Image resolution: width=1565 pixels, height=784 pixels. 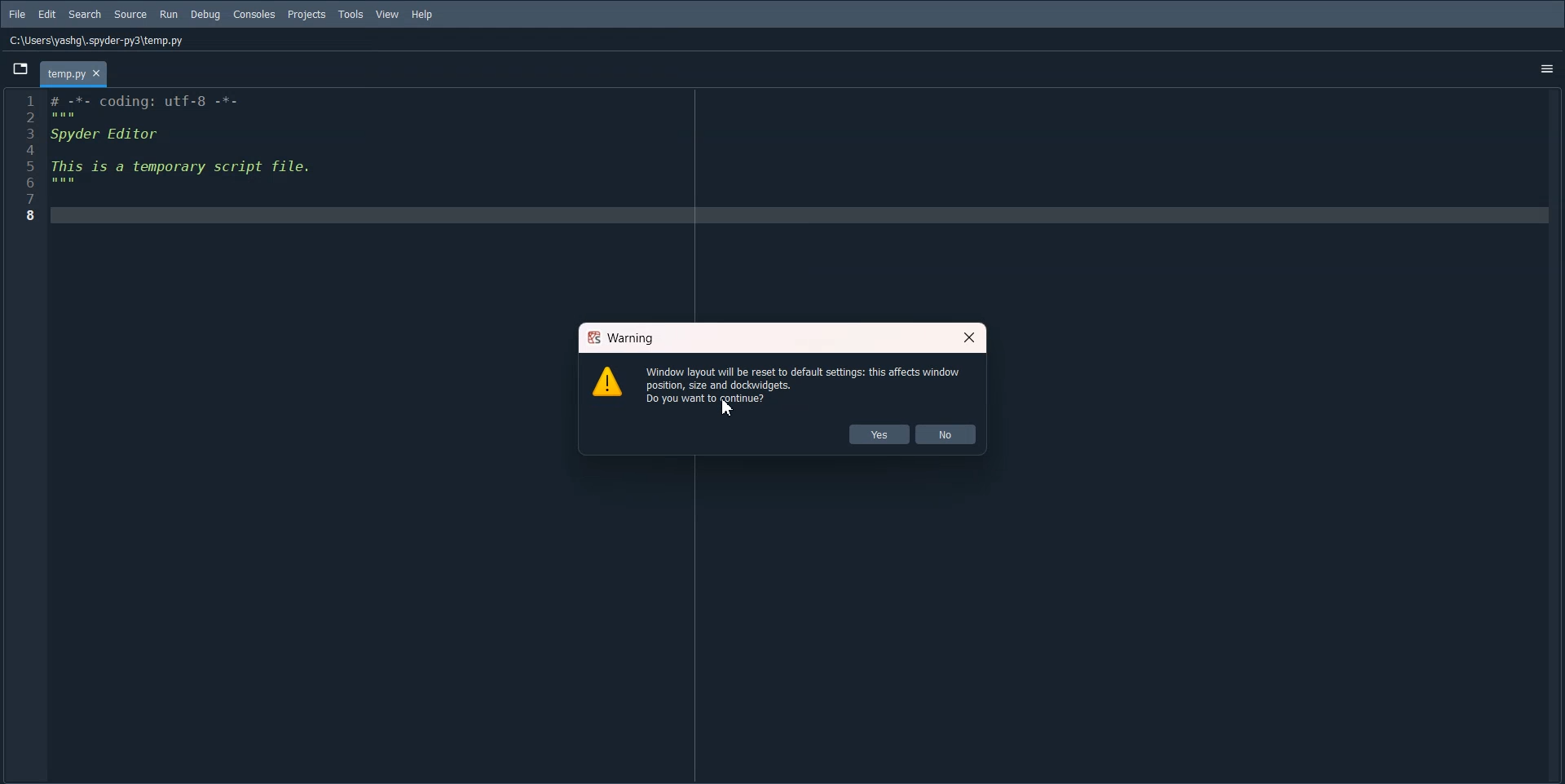 What do you see at coordinates (1546, 68) in the screenshot?
I see `Options` at bounding box center [1546, 68].